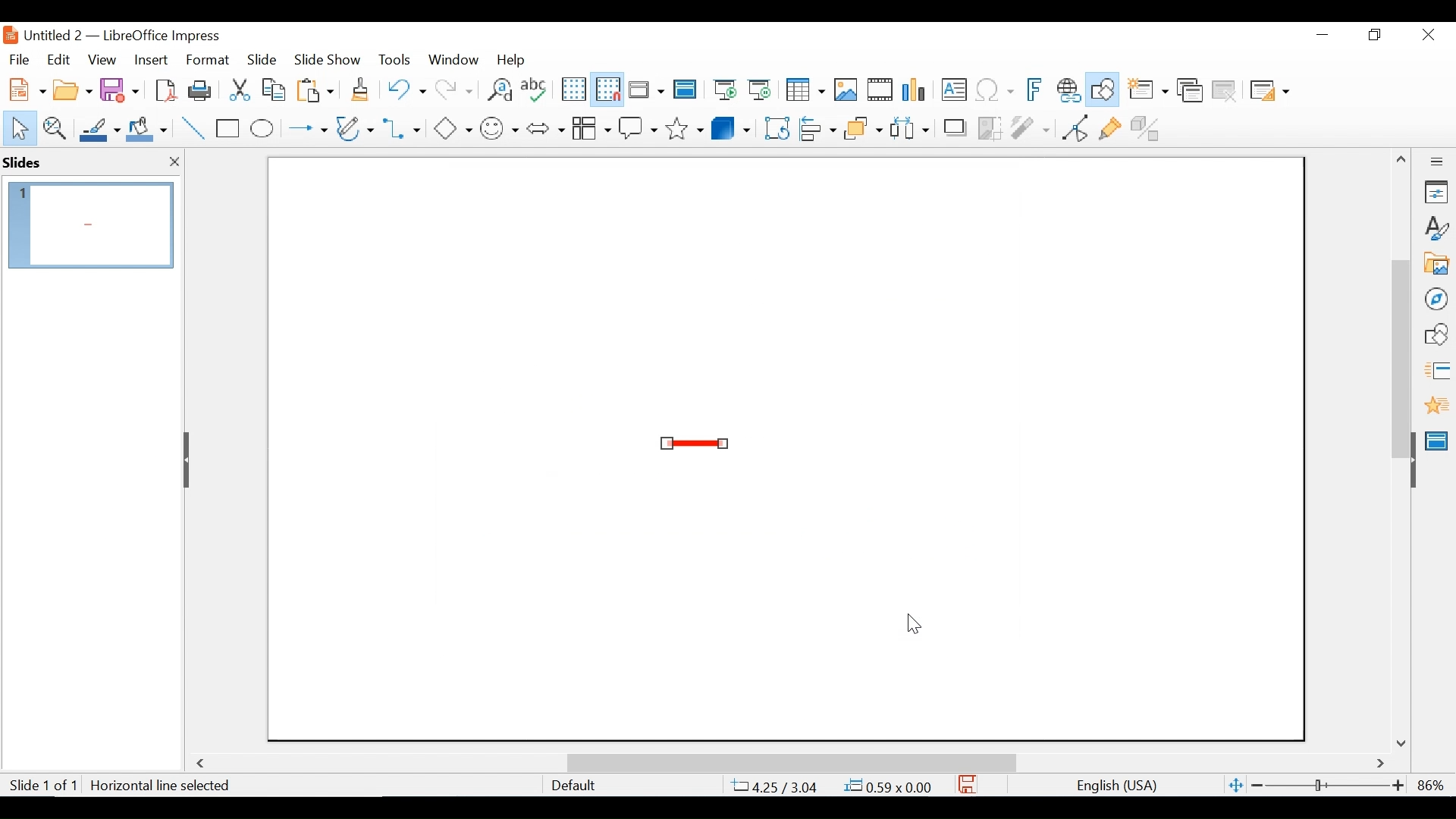 The width and height of the screenshot is (1456, 819). I want to click on Zoom Slider, so click(1326, 786).